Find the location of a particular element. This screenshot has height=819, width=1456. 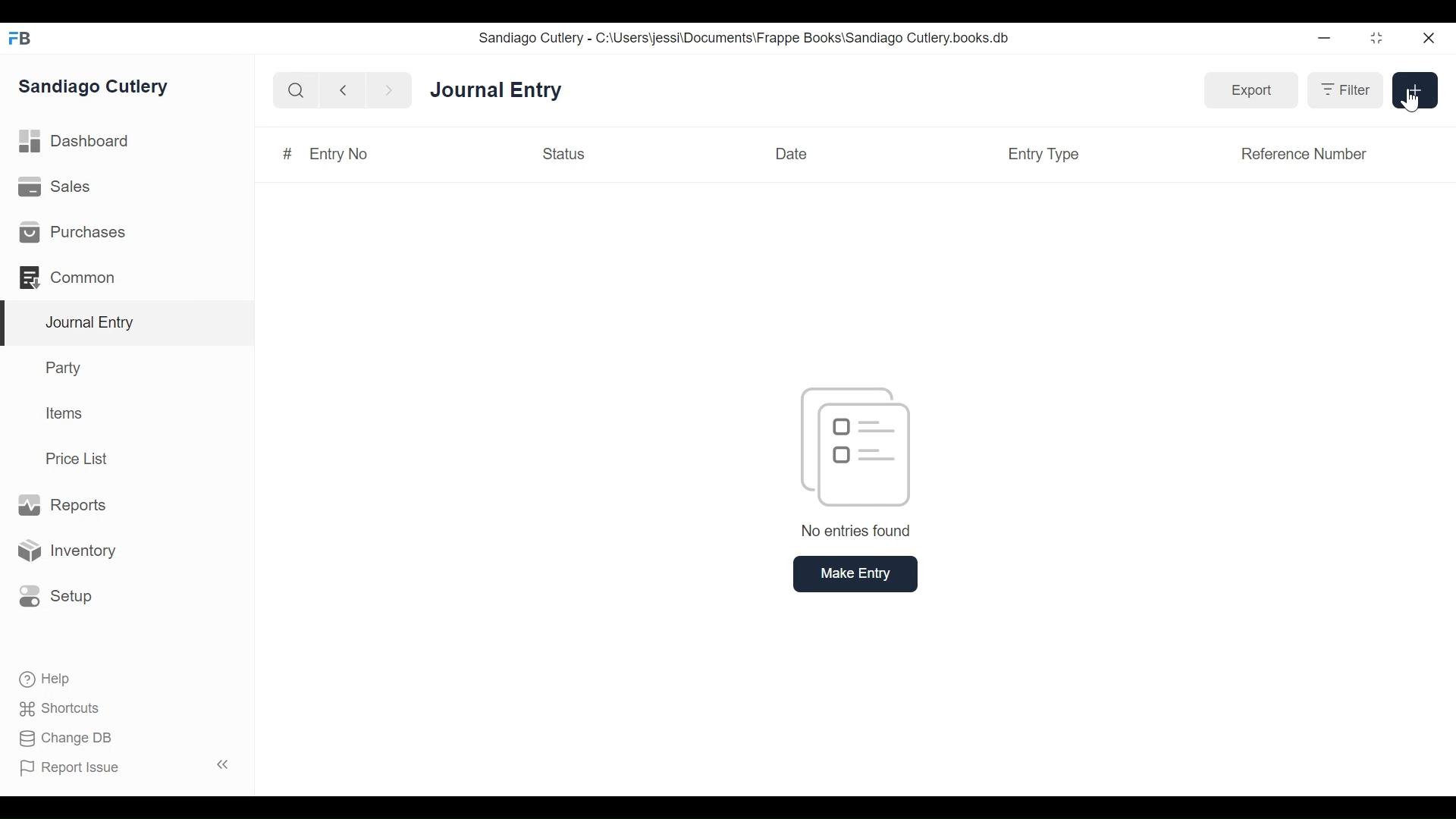

Cursor is located at coordinates (1409, 102).